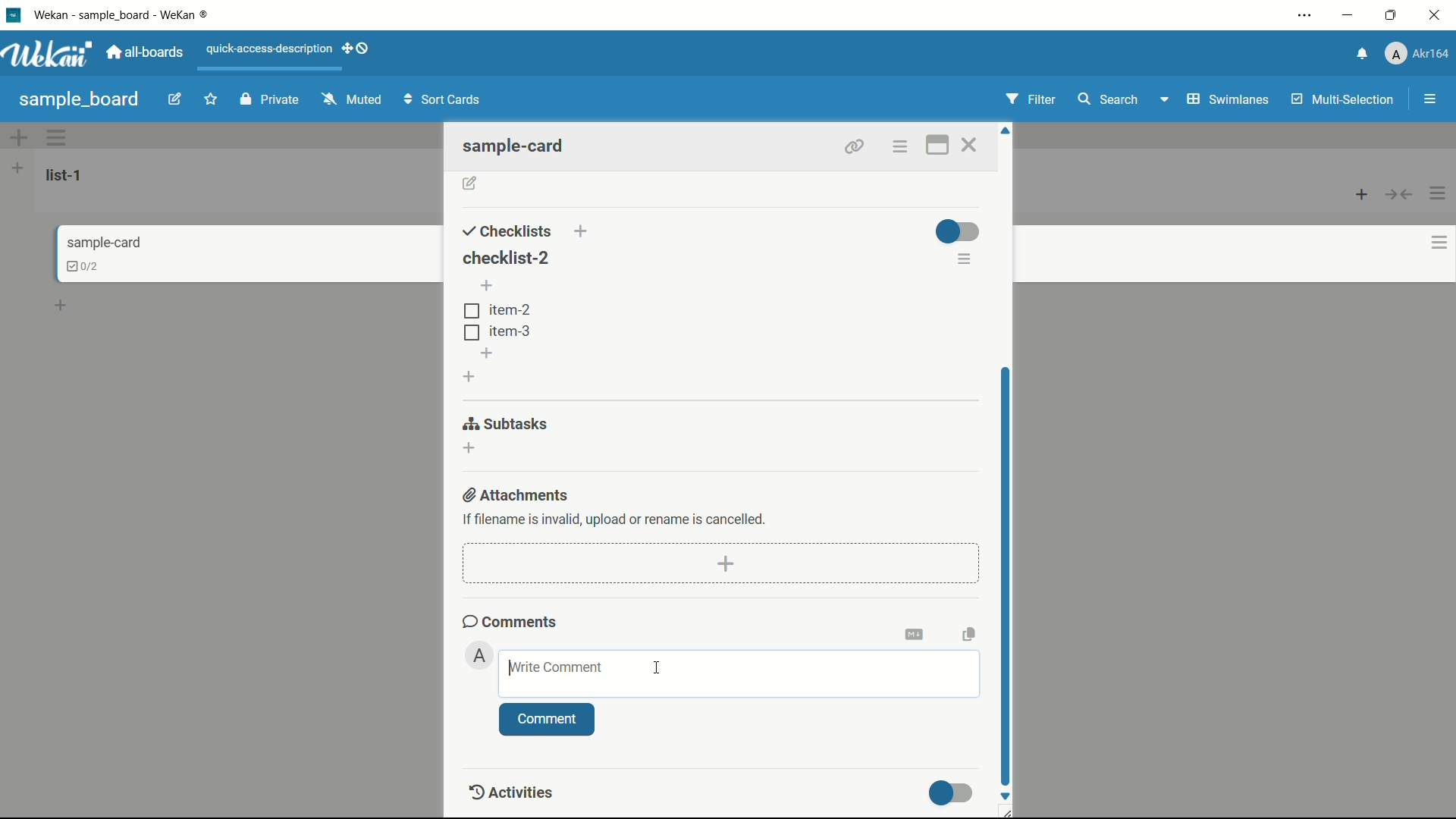 The width and height of the screenshot is (1456, 819). I want to click on write comment , so click(554, 667).